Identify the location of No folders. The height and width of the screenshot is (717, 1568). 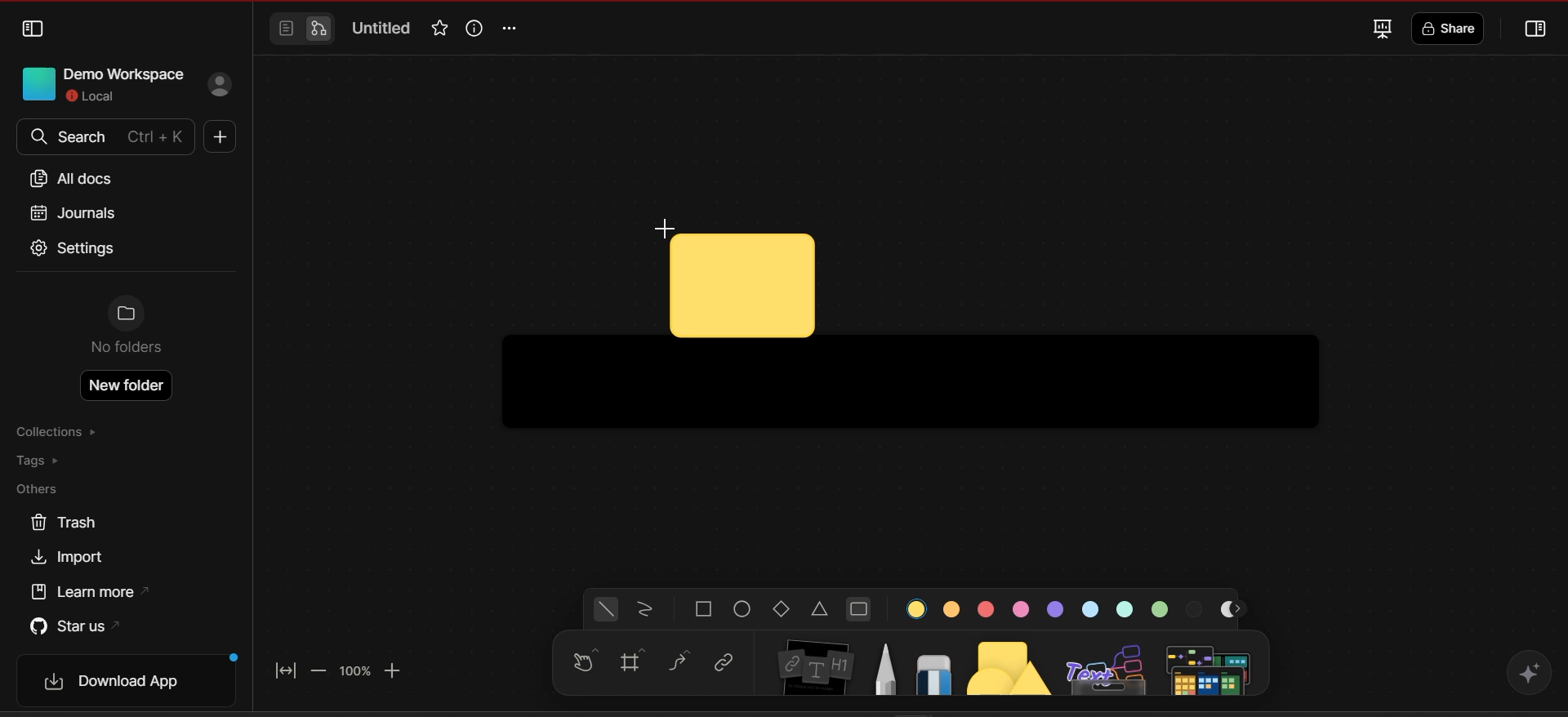
(127, 329).